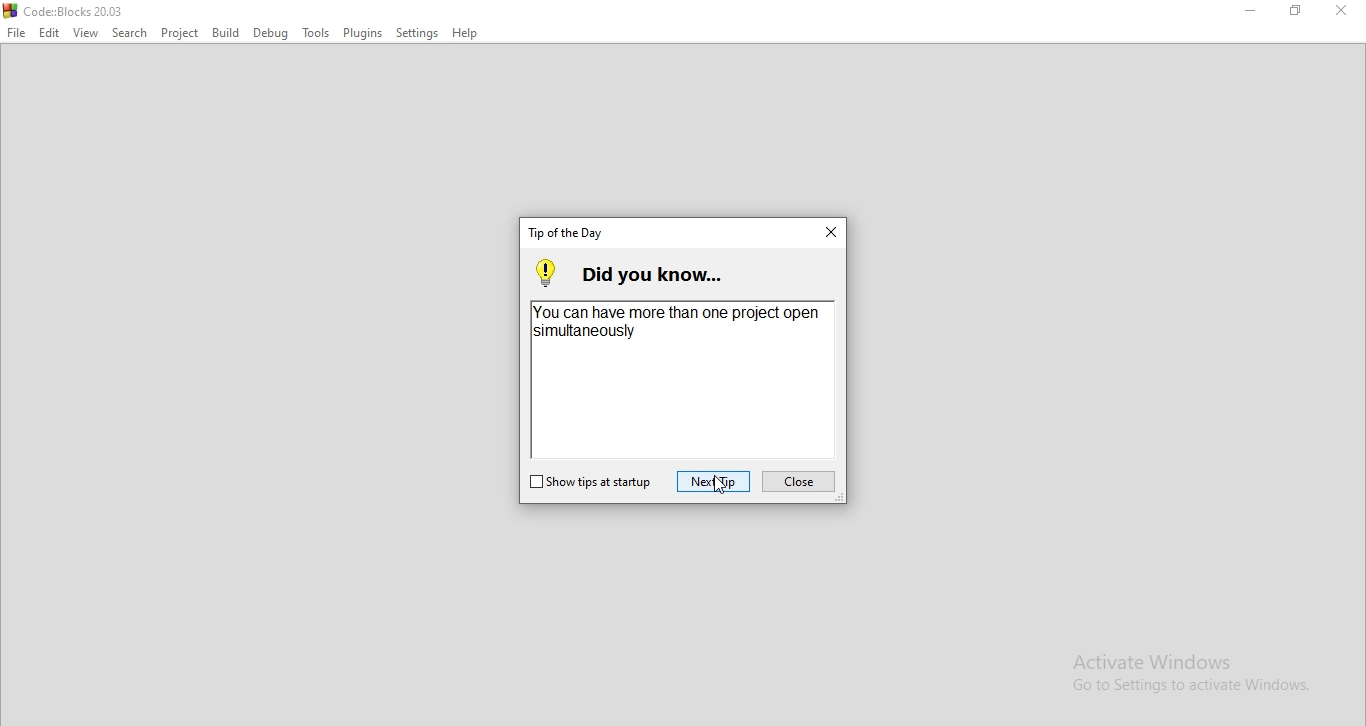 The height and width of the screenshot is (726, 1366). I want to click on Search , so click(129, 34).